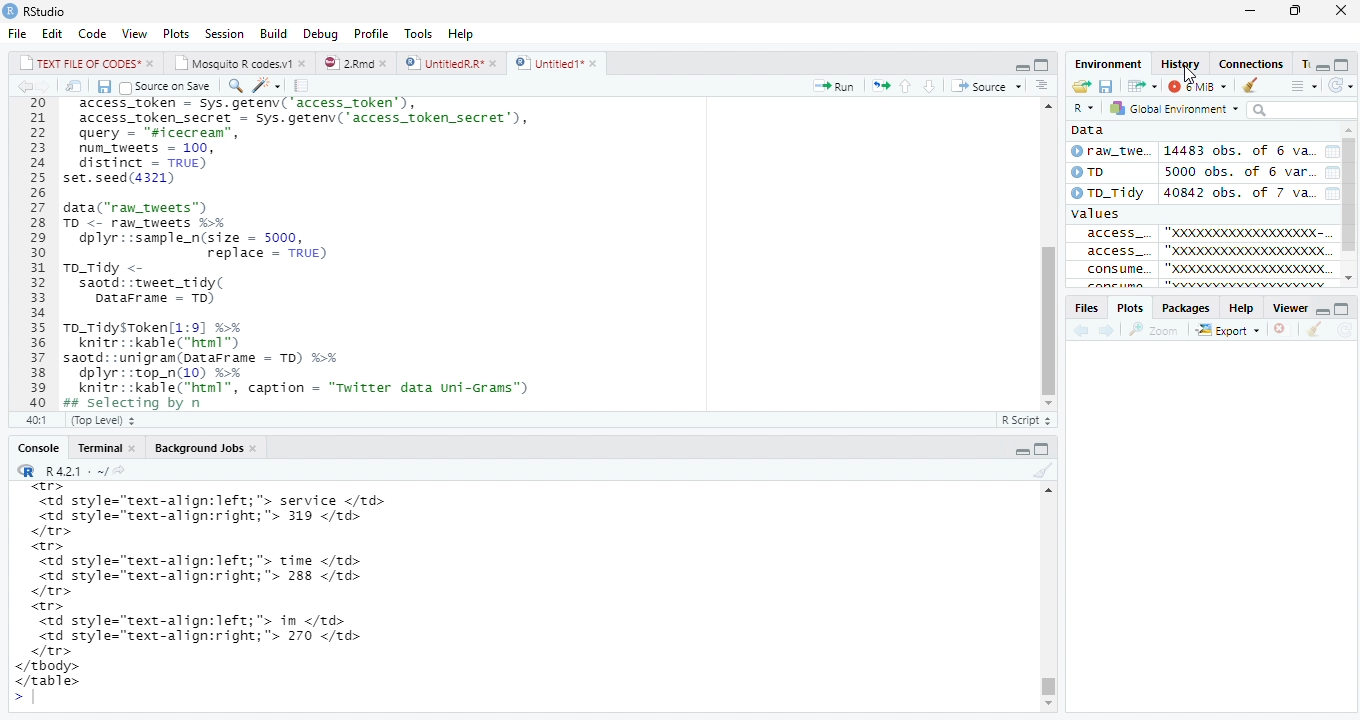 The image size is (1360, 720). What do you see at coordinates (1104, 86) in the screenshot?
I see `save` at bounding box center [1104, 86].